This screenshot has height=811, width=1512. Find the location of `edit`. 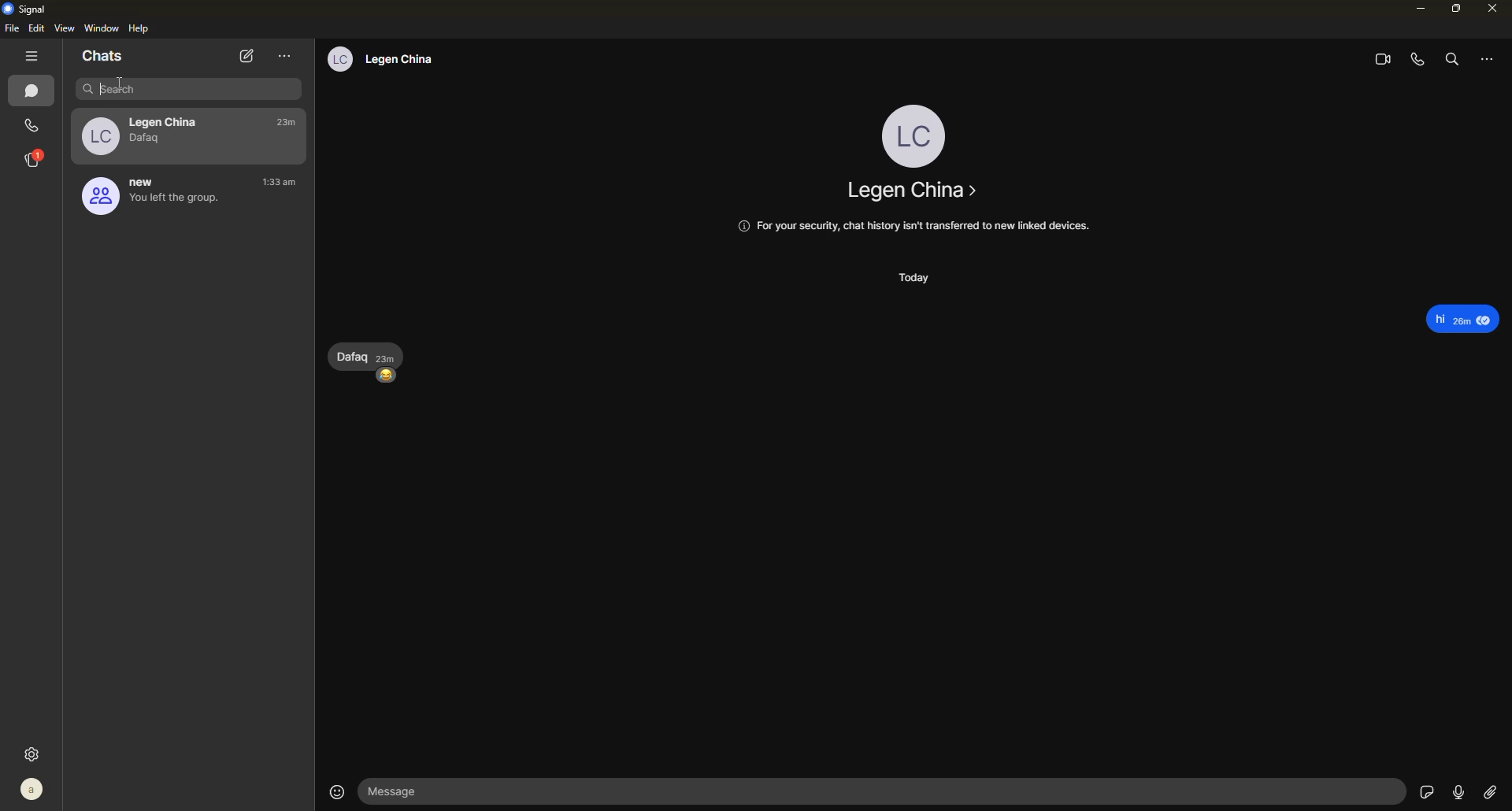

edit is located at coordinates (36, 29).